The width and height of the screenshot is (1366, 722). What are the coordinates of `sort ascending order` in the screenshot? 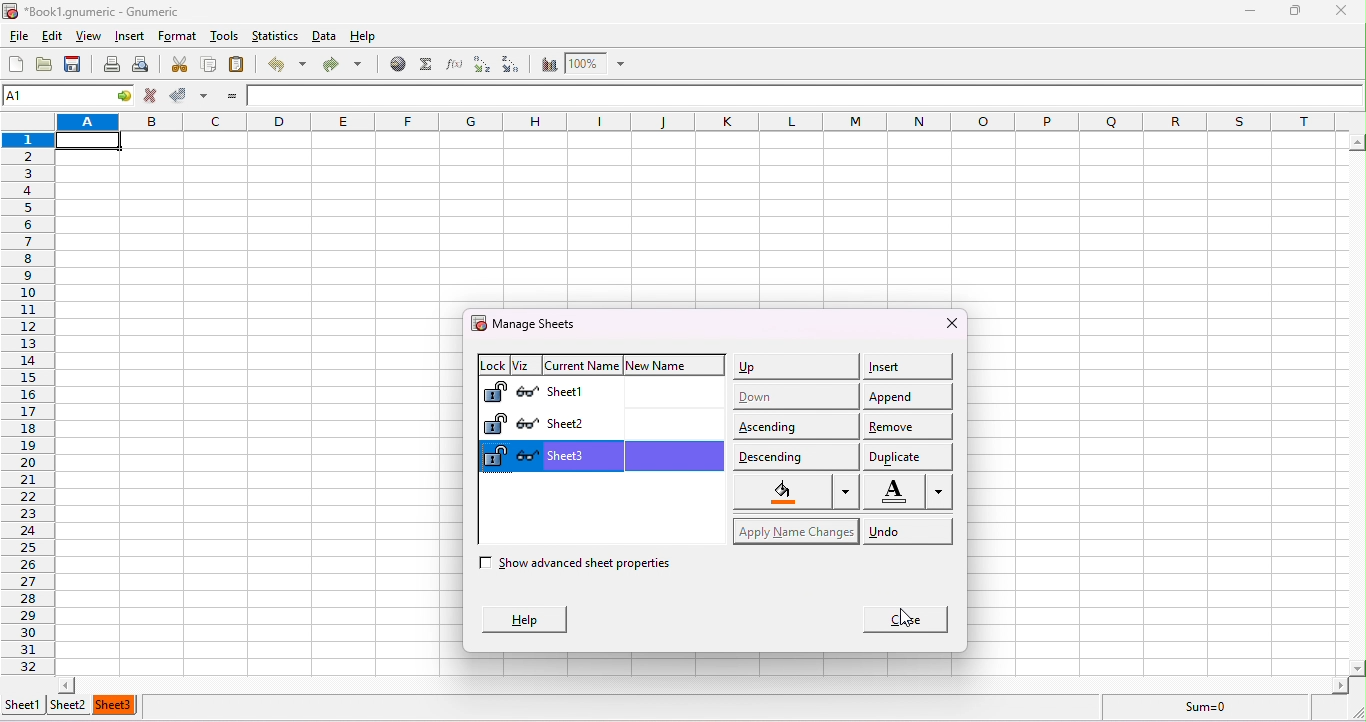 It's located at (479, 63).